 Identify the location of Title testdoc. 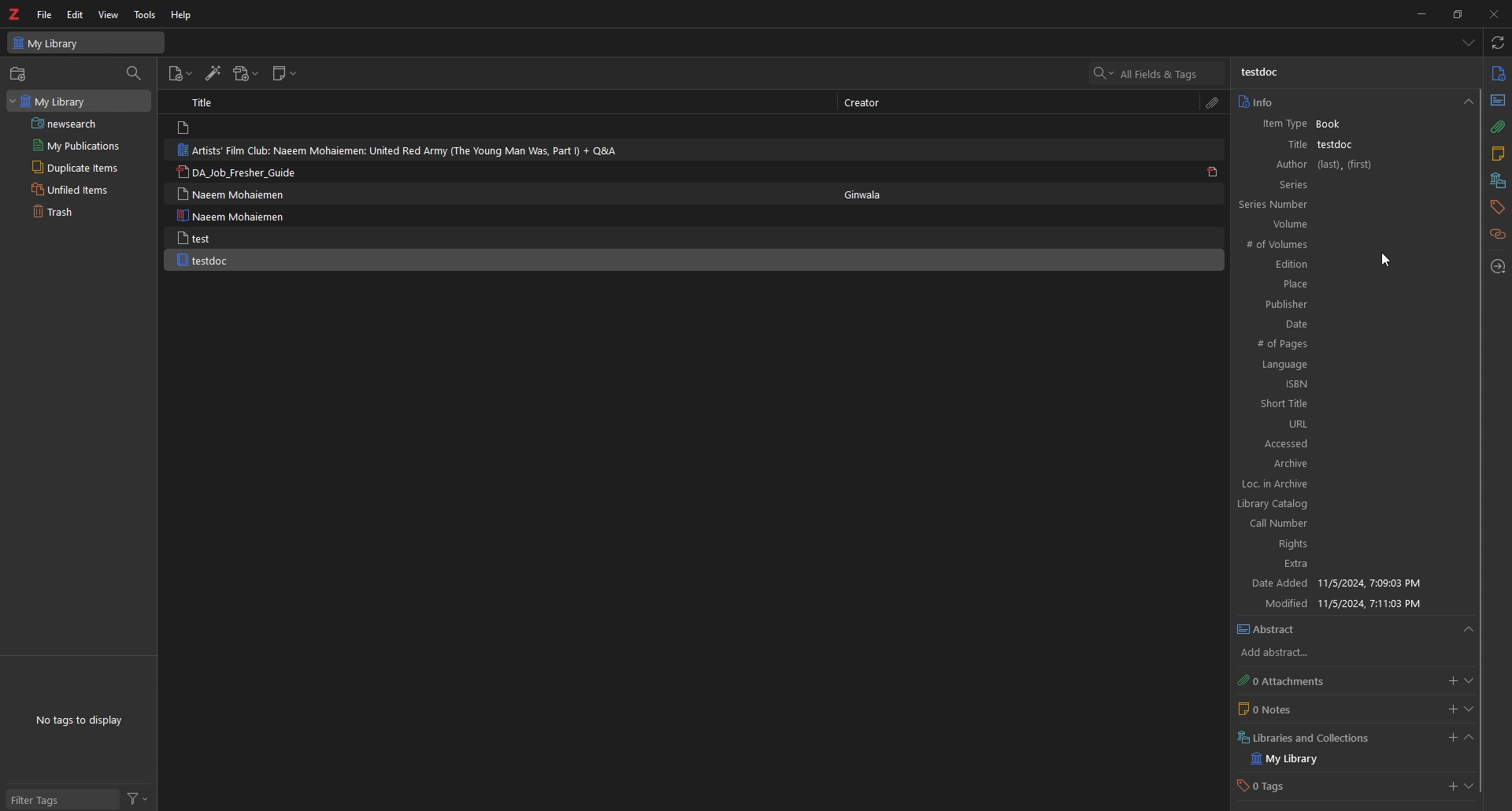
(1282, 146).